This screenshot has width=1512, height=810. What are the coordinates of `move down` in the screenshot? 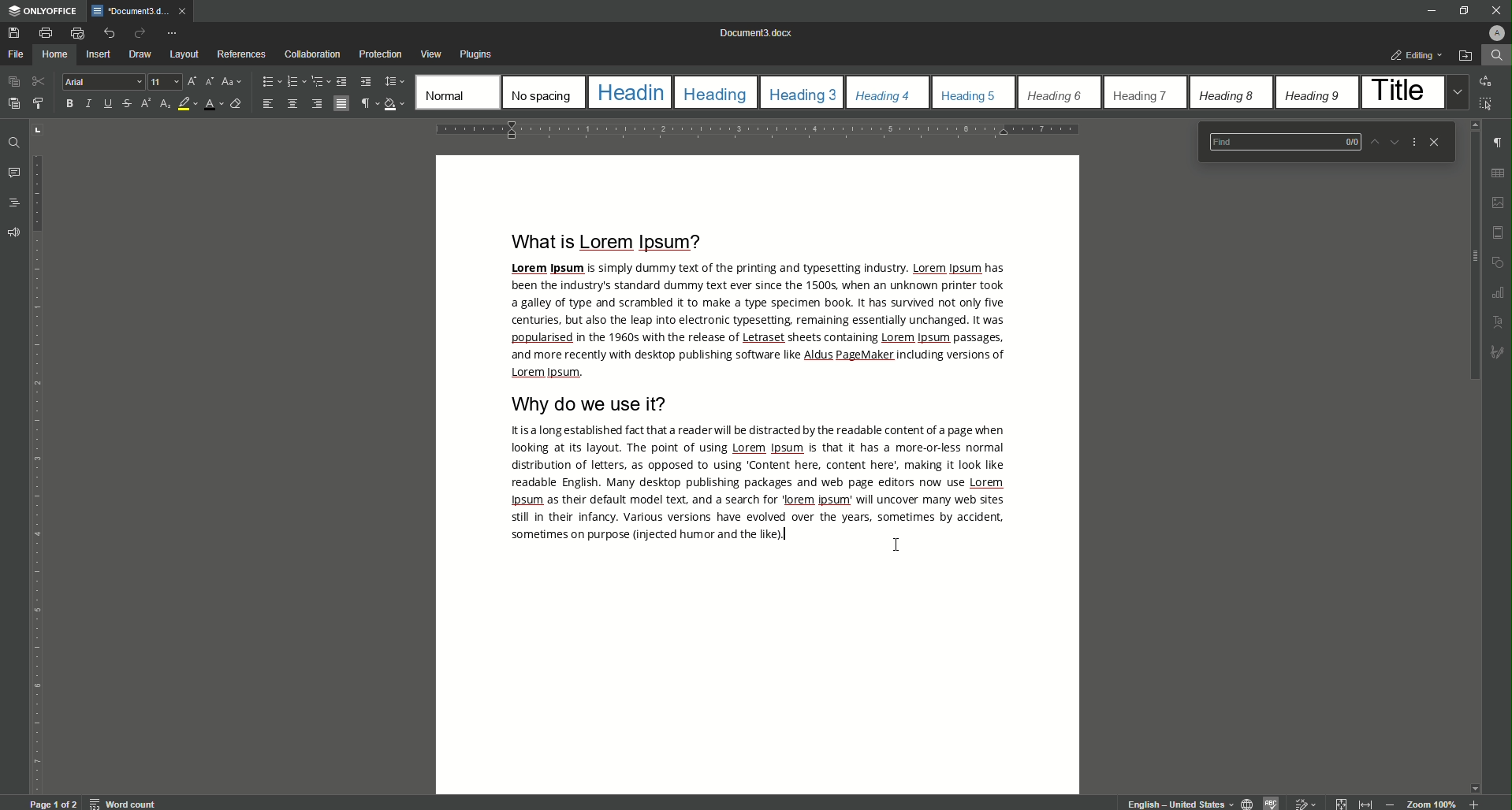 It's located at (1477, 785).